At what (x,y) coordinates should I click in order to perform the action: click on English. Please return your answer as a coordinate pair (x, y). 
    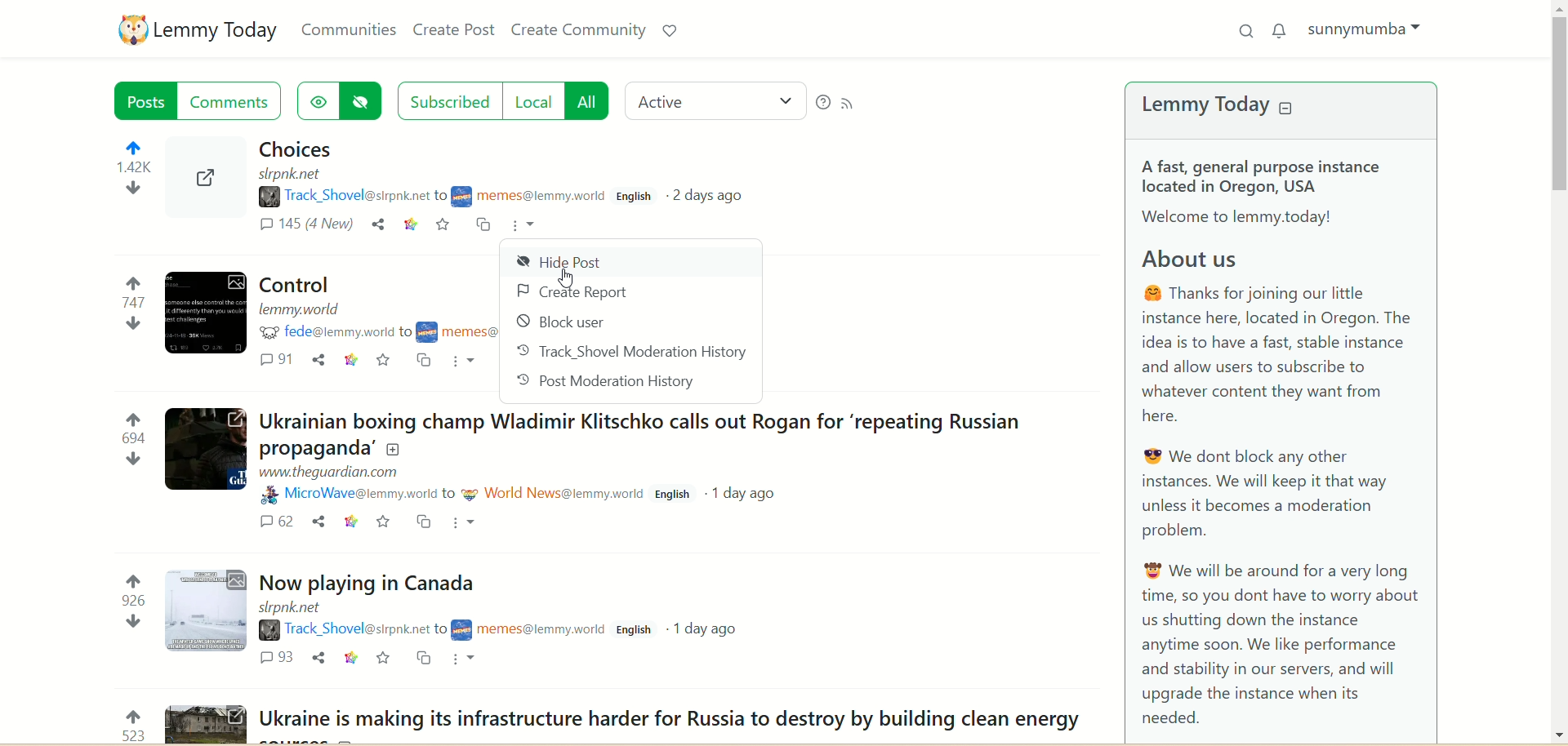
    Looking at the image, I should click on (676, 495).